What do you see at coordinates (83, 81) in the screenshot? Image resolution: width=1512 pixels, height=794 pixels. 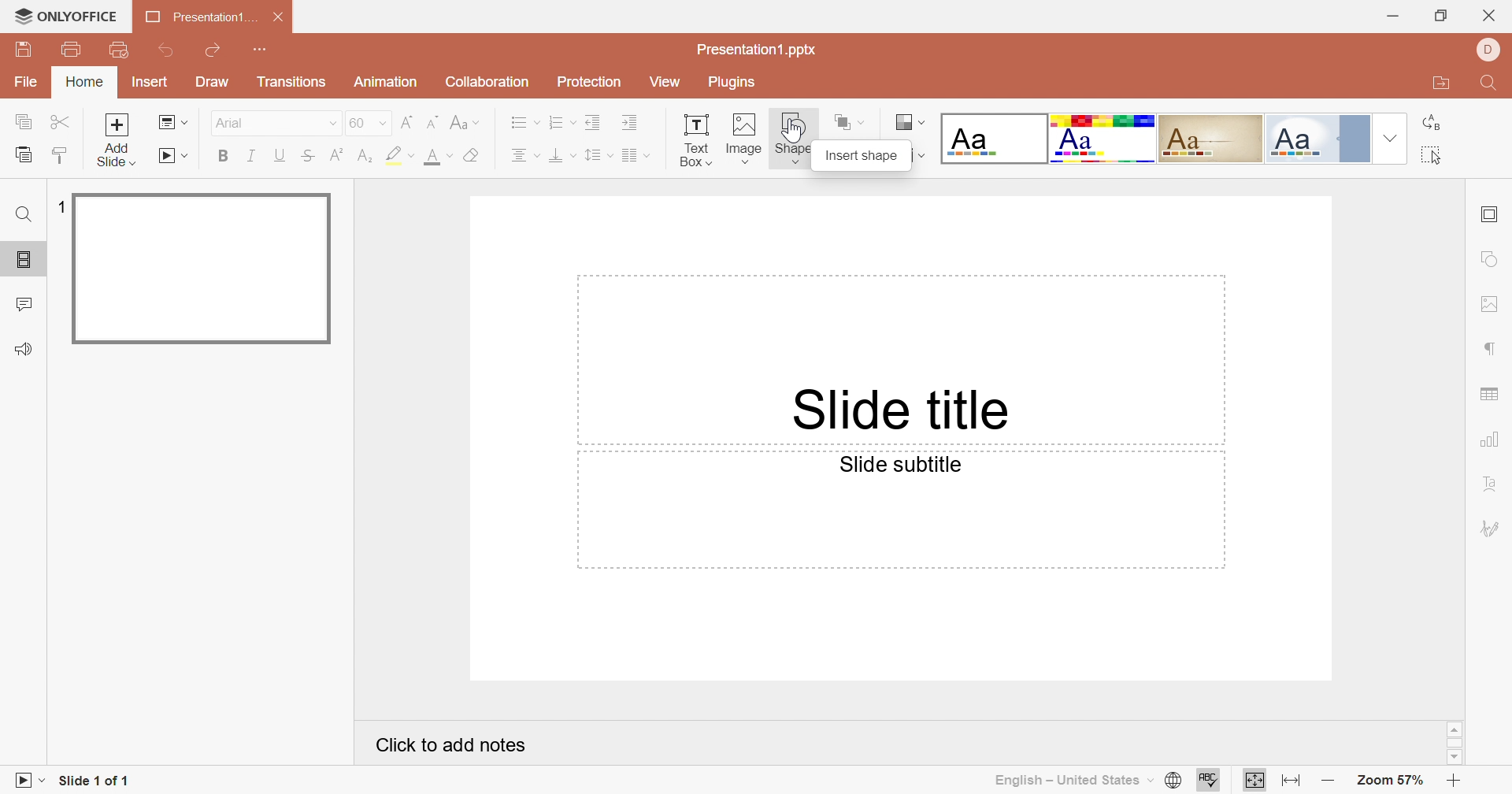 I see `Home` at bounding box center [83, 81].